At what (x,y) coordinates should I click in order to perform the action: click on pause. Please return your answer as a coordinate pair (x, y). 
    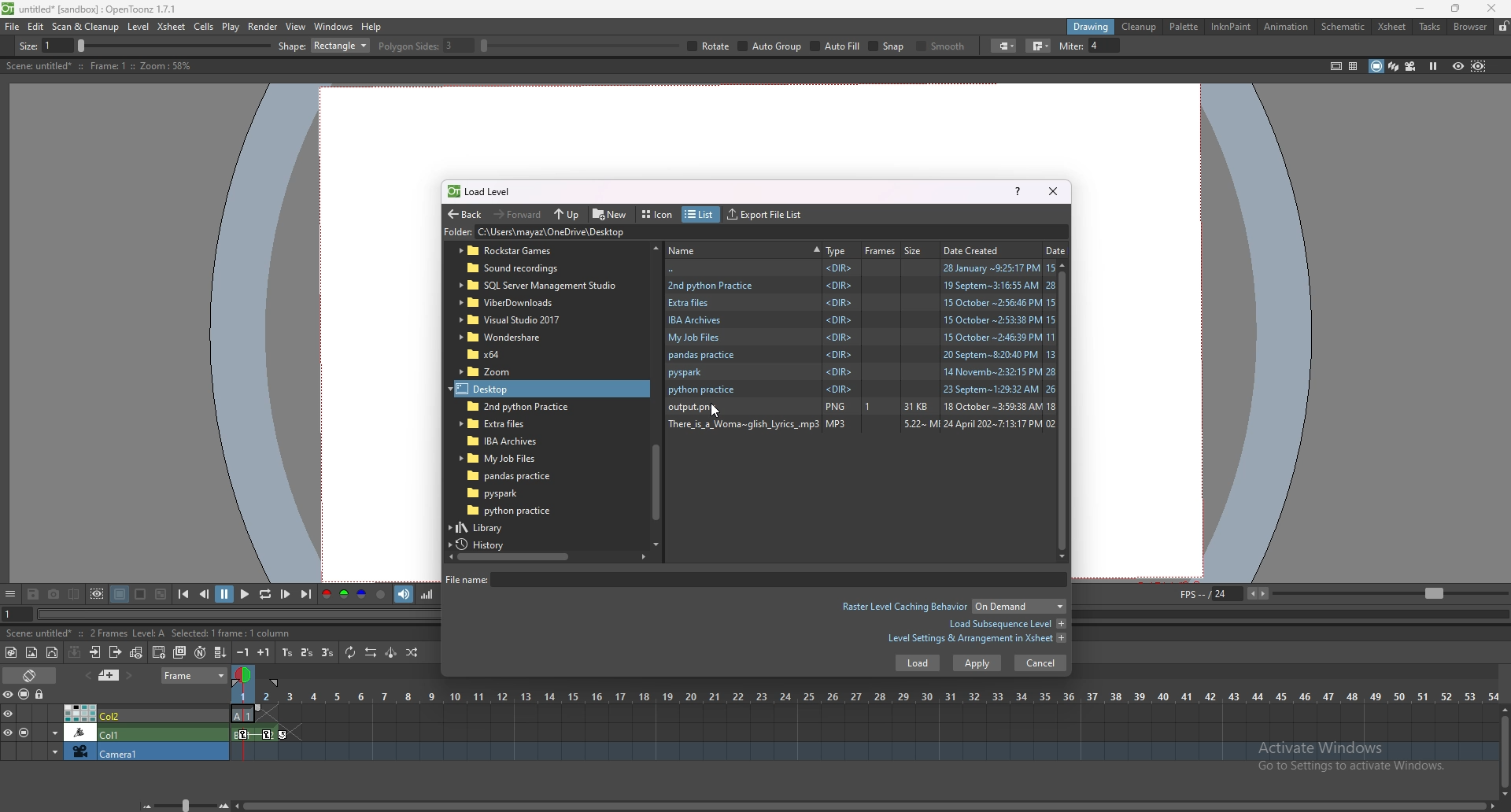
    Looking at the image, I should click on (224, 594).